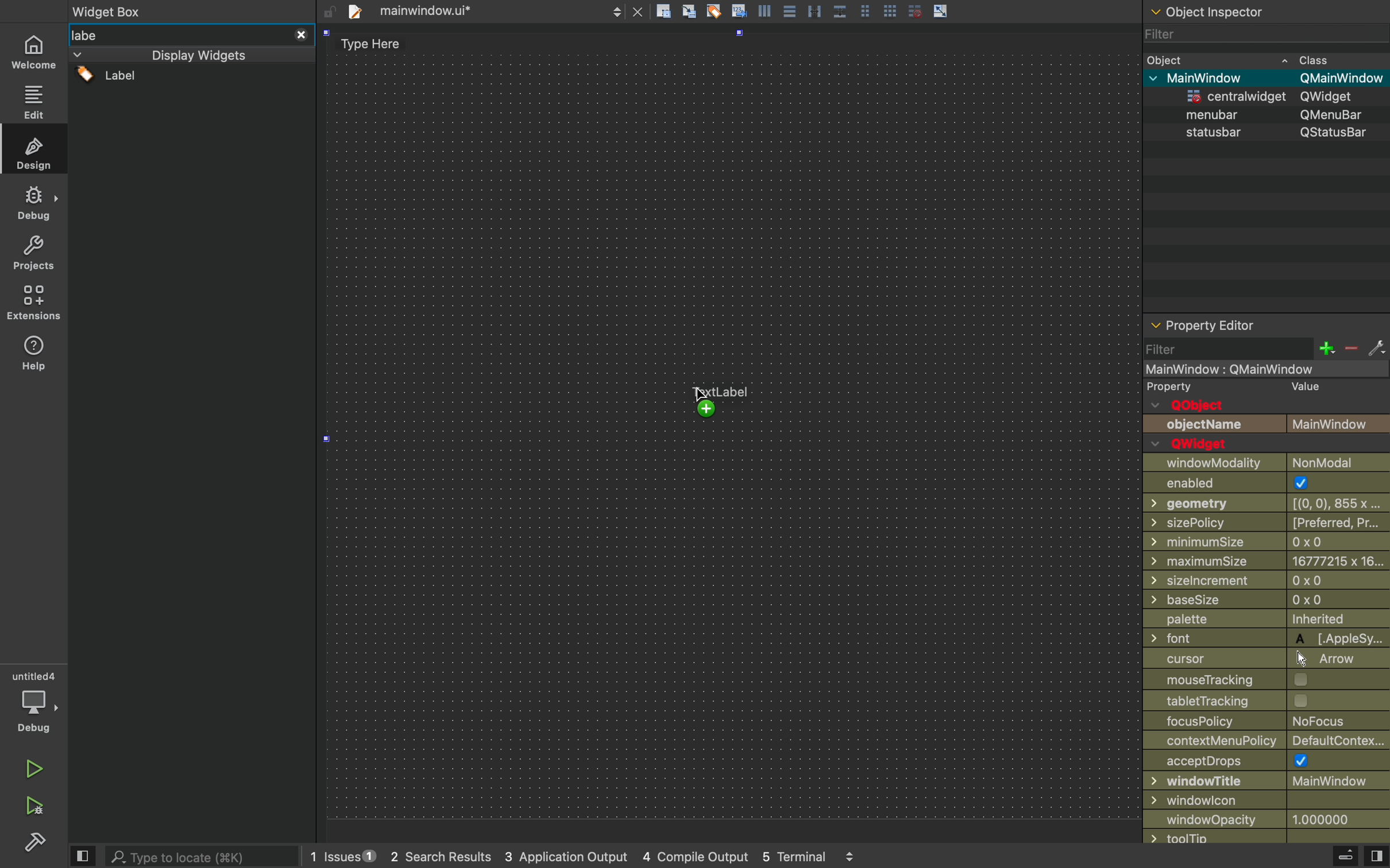  Describe the element at coordinates (817, 11) in the screenshot. I see `Parallel` at that location.